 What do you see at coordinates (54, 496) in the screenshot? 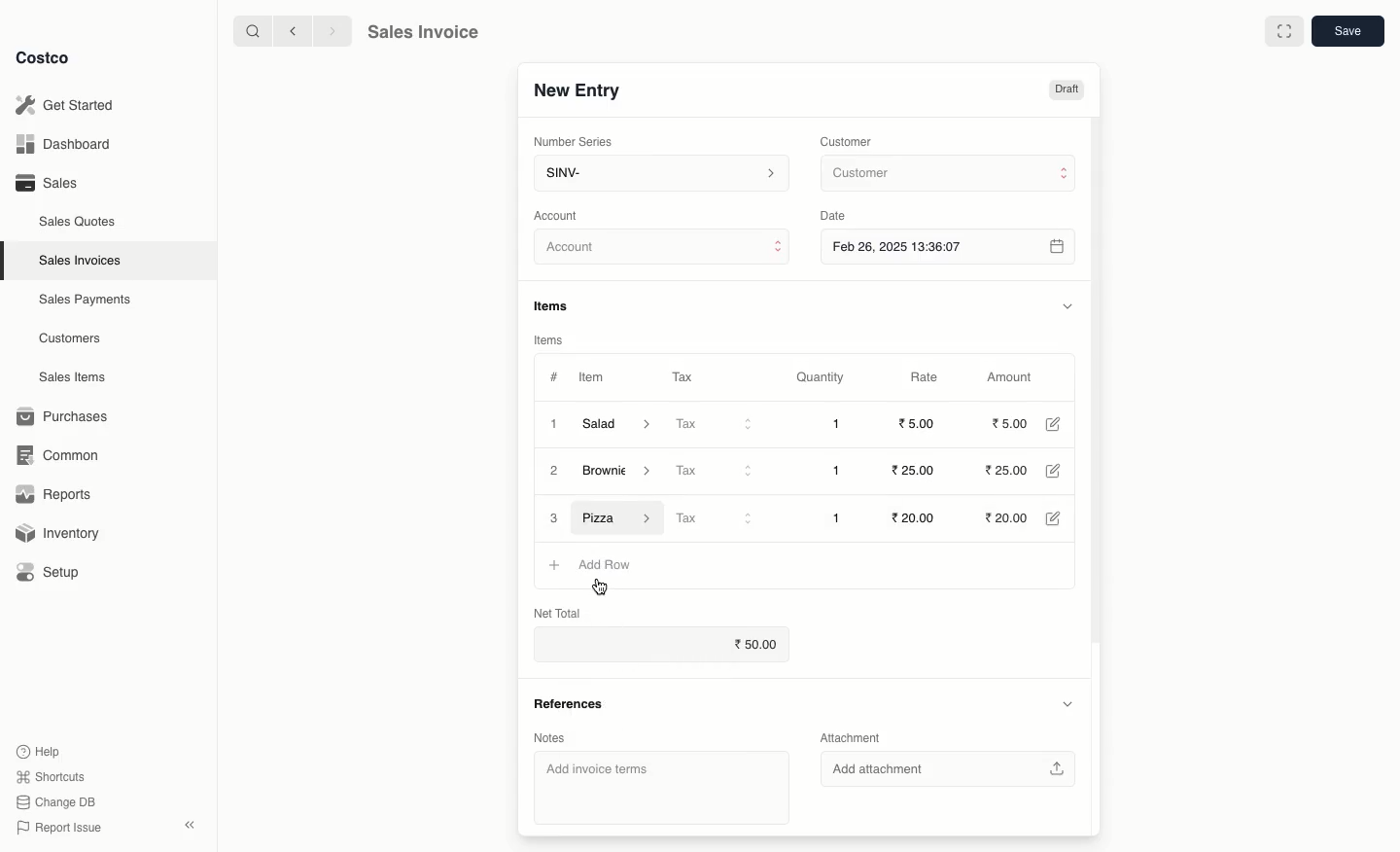
I see `Reports` at bounding box center [54, 496].